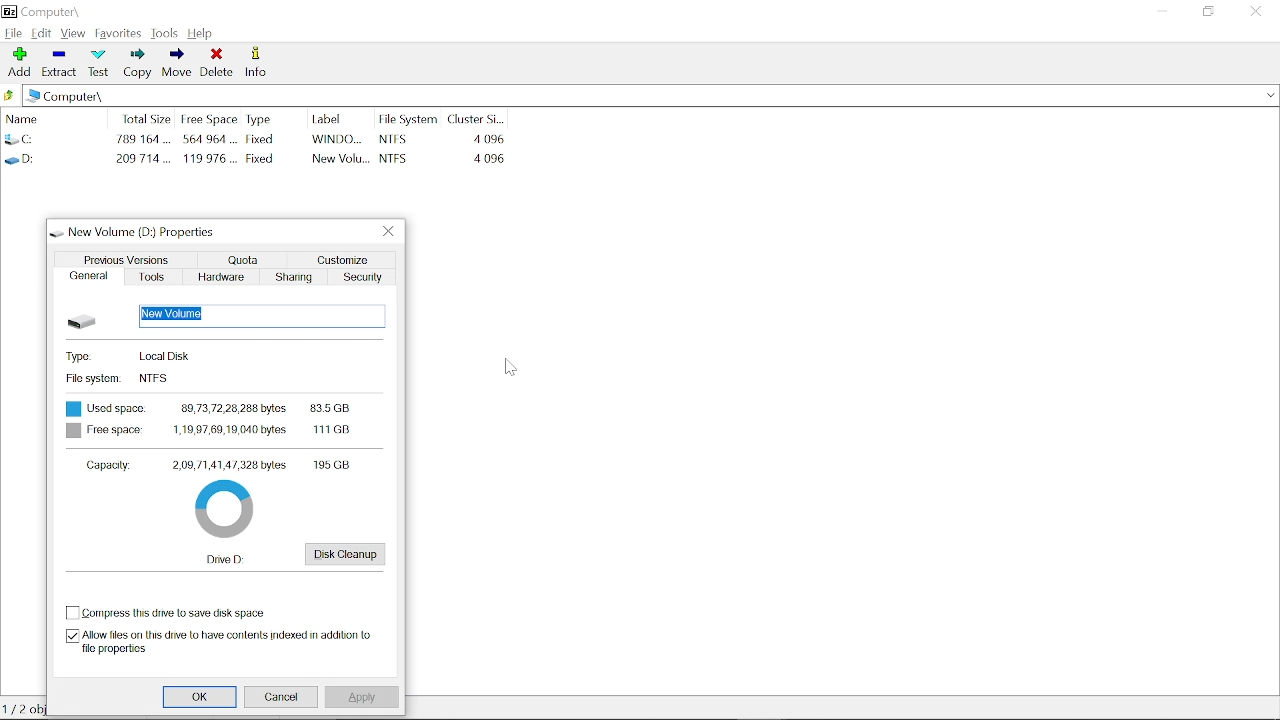 Image resolution: width=1280 pixels, height=720 pixels. Describe the element at coordinates (58, 61) in the screenshot. I see `extract` at that location.